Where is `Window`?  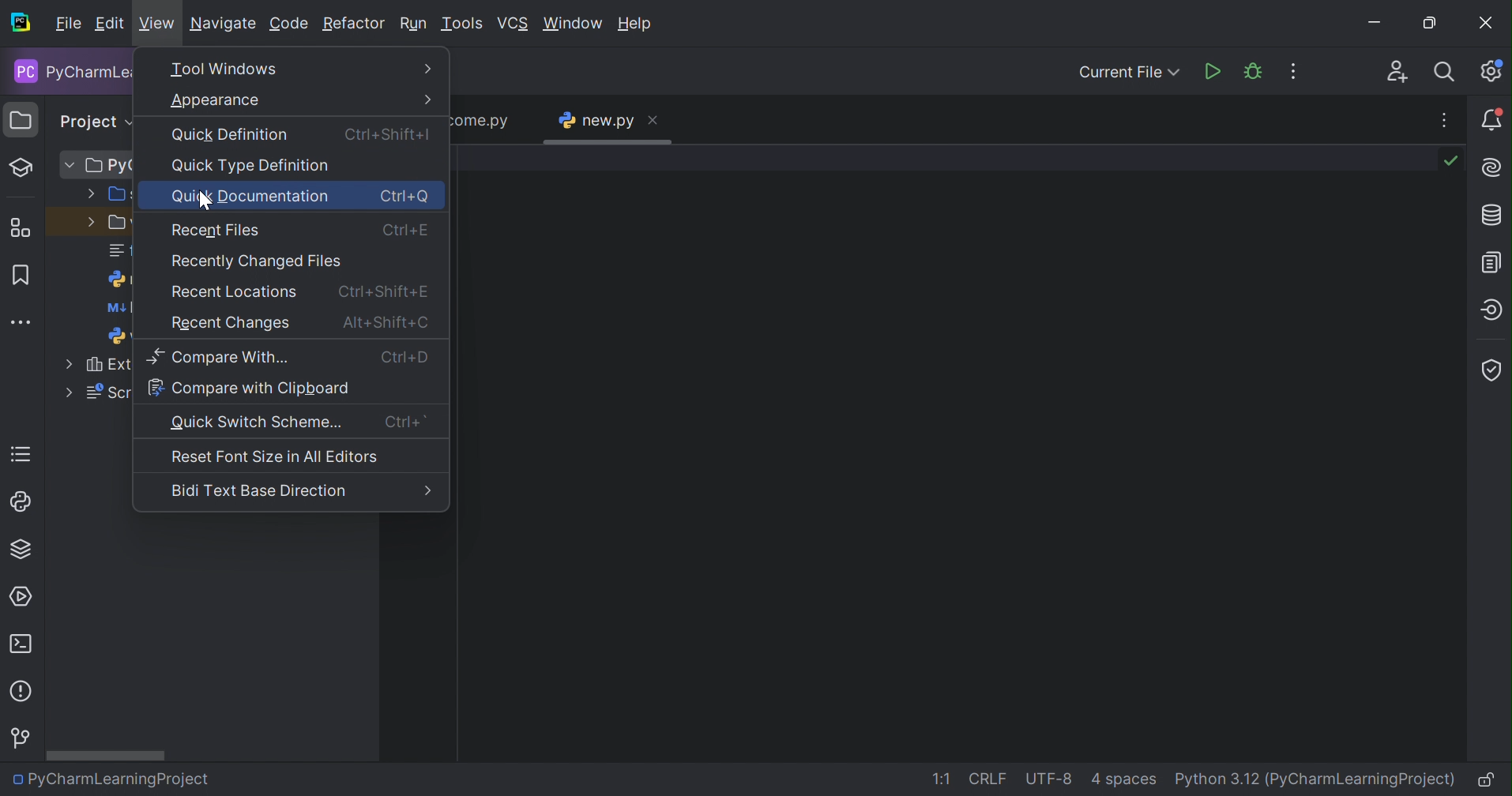 Window is located at coordinates (573, 22).